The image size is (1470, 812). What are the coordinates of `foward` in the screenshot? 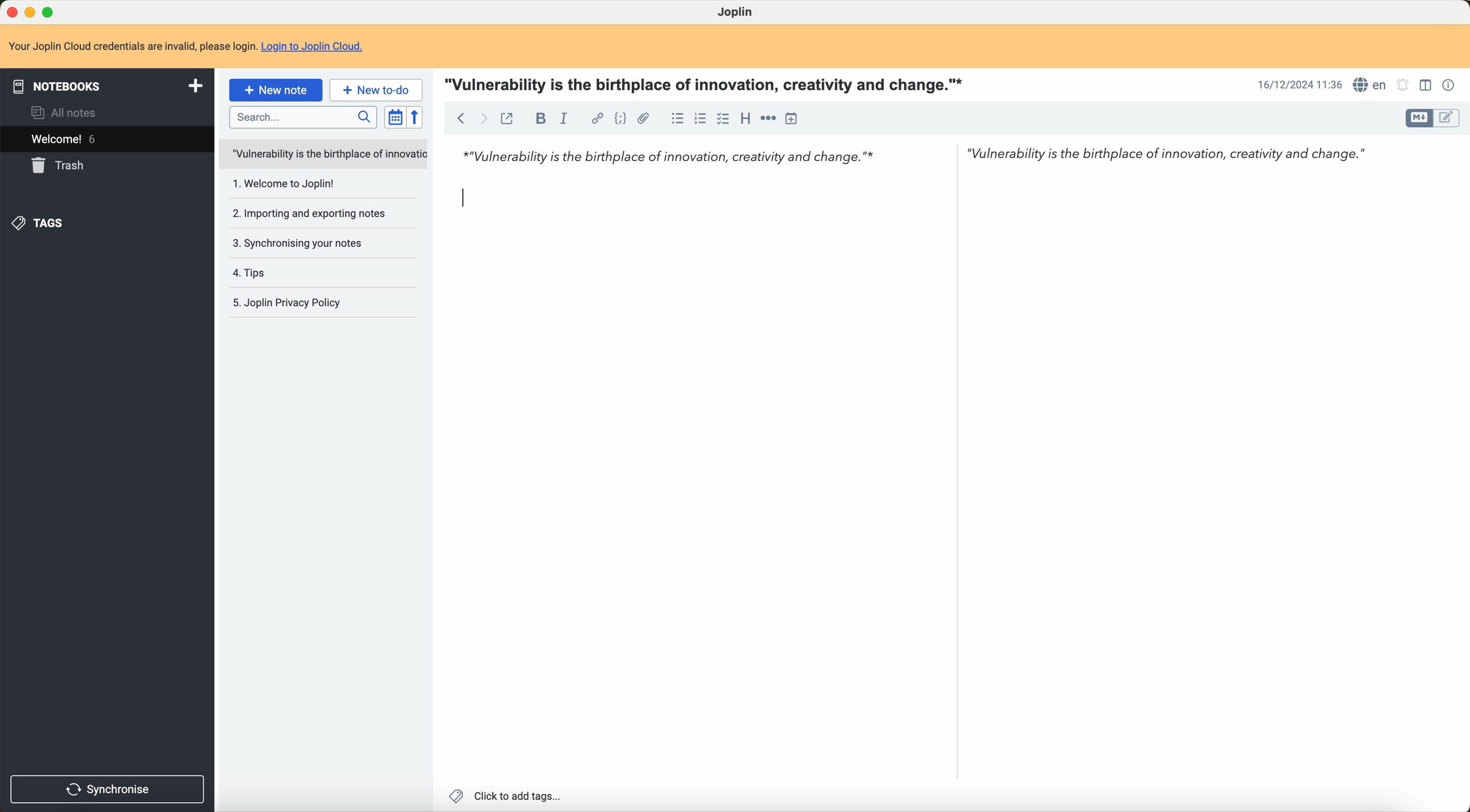 It's located at (486, 119).